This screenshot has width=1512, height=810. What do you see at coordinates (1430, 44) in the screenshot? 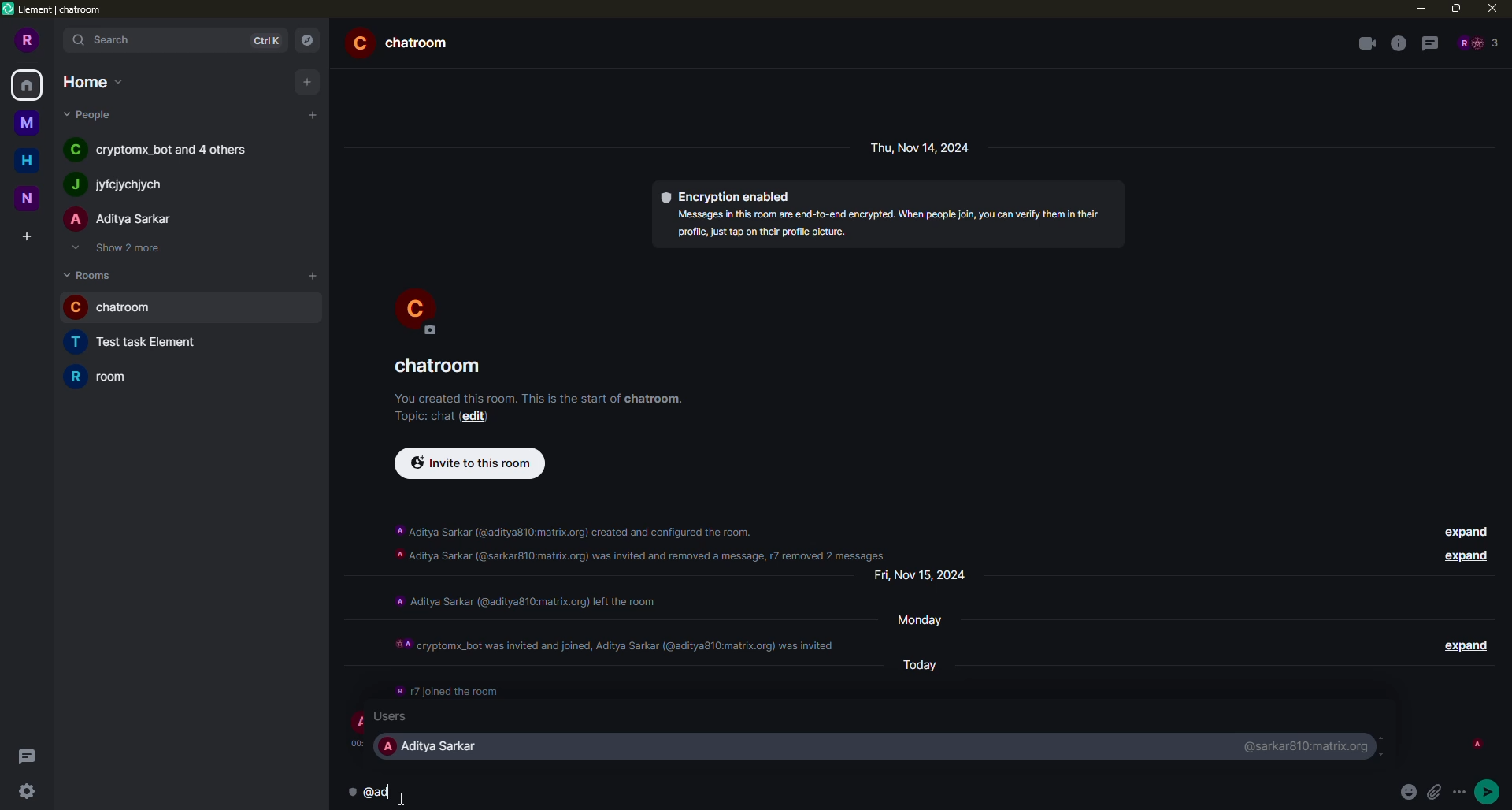
I see `threads` at bounding box center [1430, 44].